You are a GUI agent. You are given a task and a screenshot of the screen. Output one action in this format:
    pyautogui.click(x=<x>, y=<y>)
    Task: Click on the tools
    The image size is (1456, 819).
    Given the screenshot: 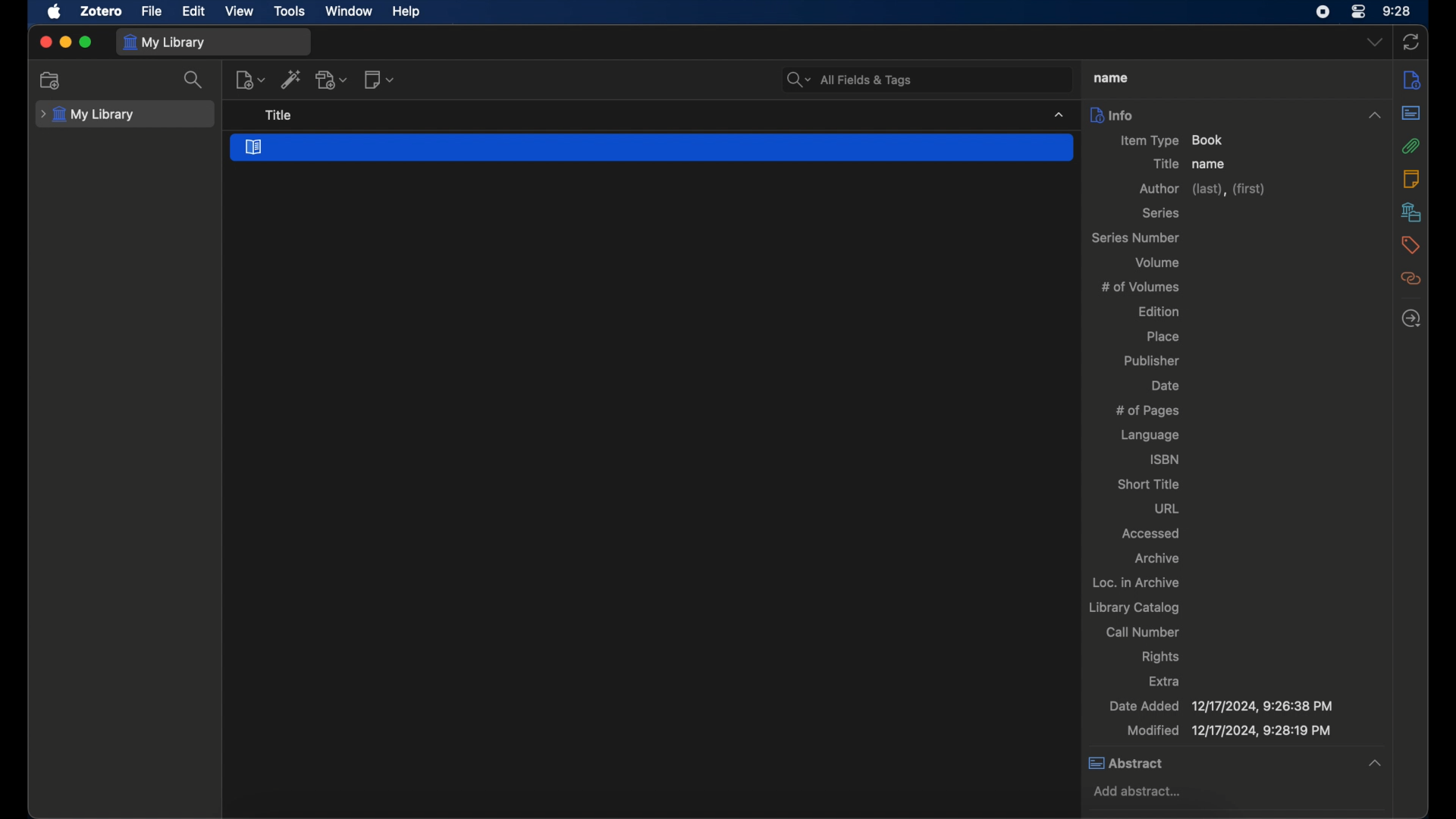 What is the action you would take?
    pyautogui.click(x=290, y=11)
    